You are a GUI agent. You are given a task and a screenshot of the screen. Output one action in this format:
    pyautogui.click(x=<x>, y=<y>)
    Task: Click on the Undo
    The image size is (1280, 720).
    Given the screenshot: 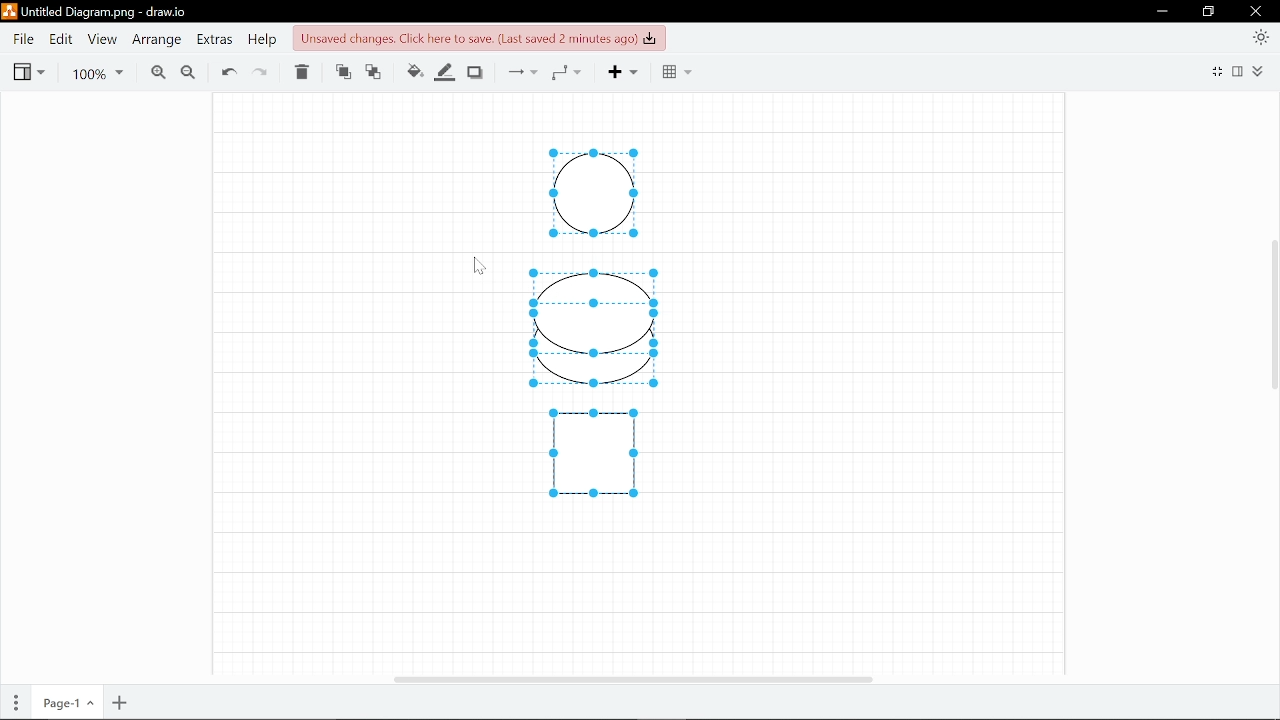 What is the action you would take?
    pyautogui.click(x=228, y=71)
    